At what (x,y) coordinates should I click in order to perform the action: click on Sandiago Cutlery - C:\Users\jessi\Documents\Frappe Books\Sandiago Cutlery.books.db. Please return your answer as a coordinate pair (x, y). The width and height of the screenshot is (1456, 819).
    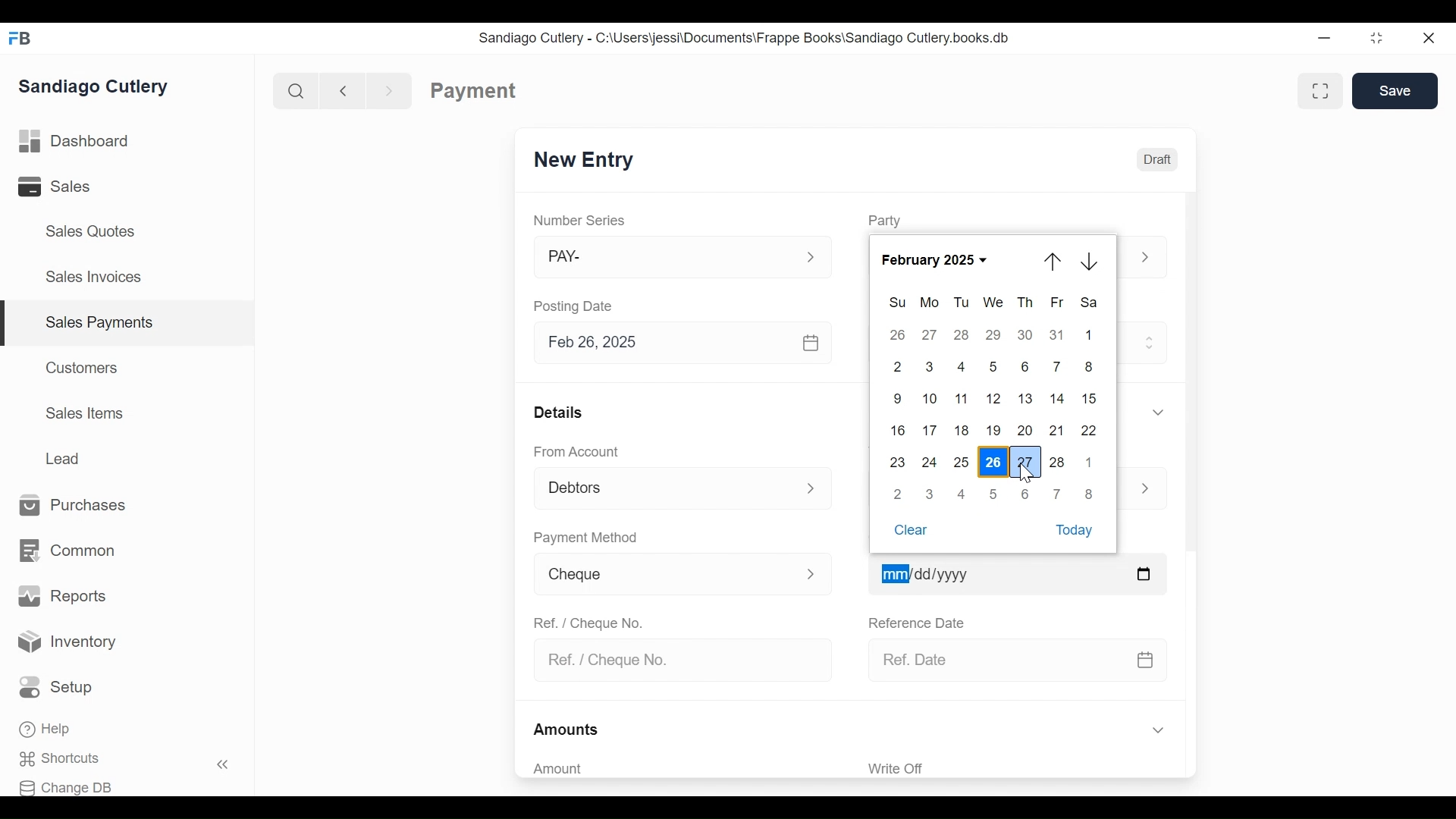
    Looking at the image, I should click on (744, 37).